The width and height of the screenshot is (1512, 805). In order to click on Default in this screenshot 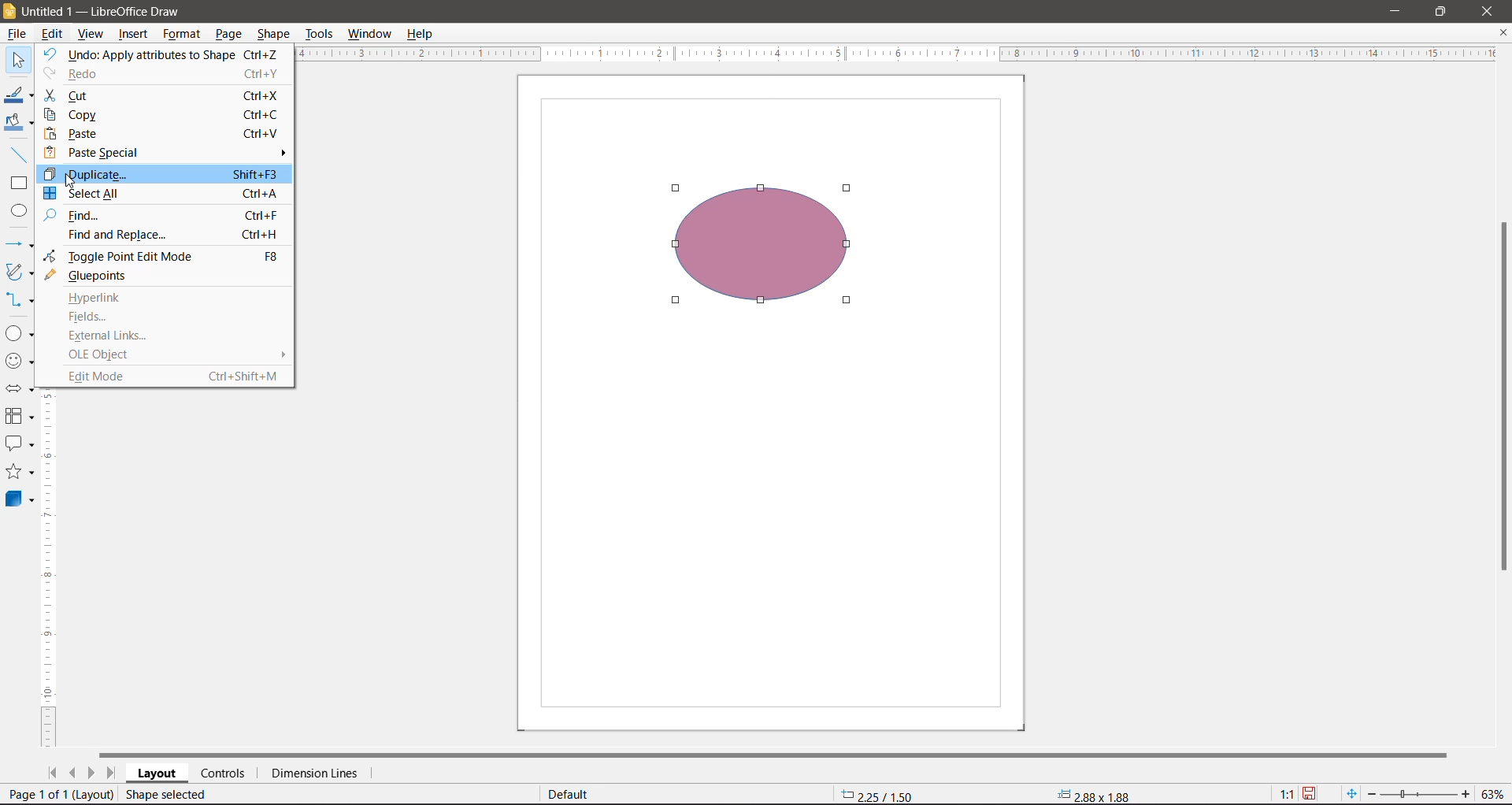, I will do `click(570, 794)`.